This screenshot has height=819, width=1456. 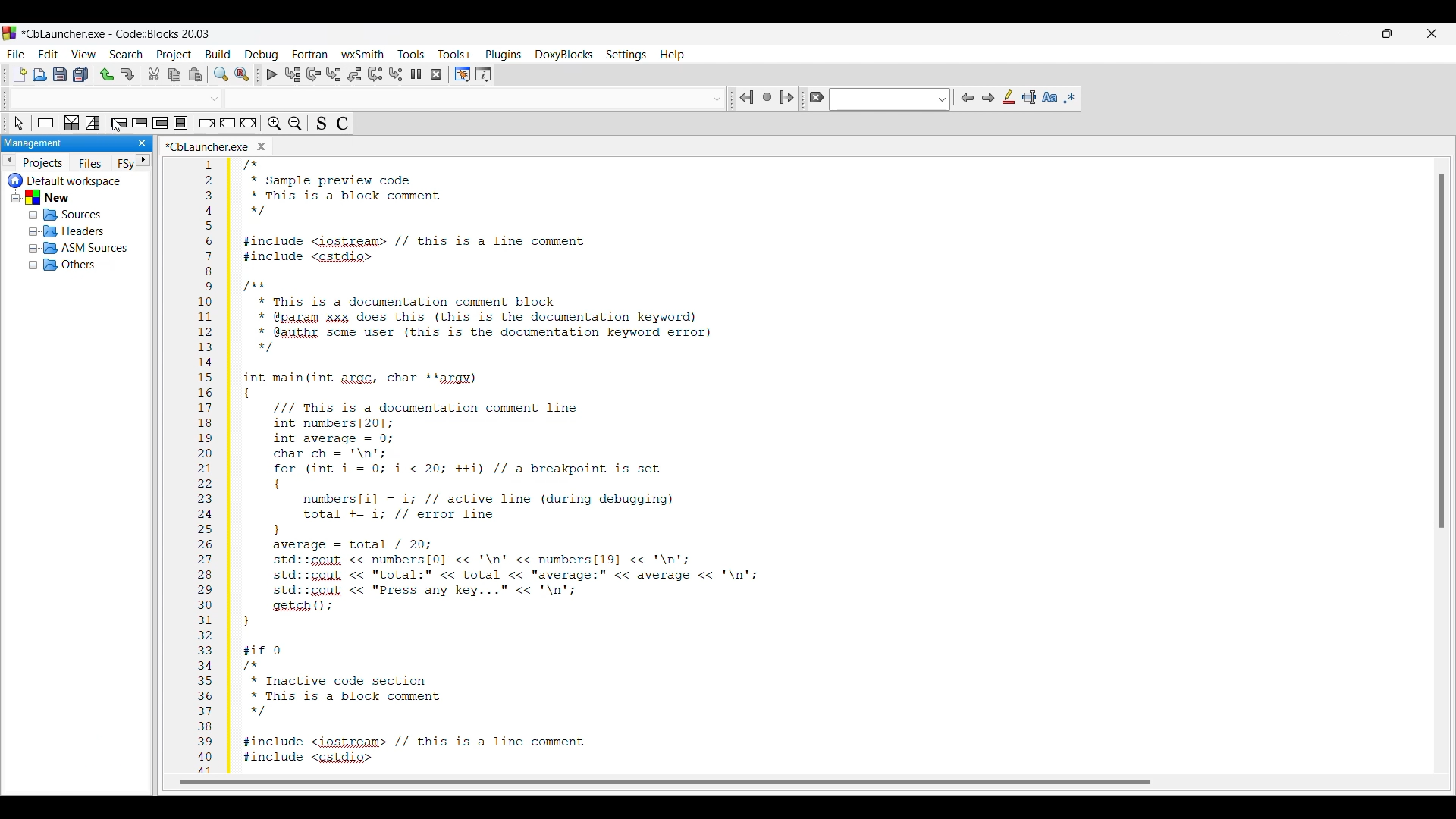 What do you see at coordinates (334, 74) in the screenshot?
I see `Step into` at bounding box center [334, 74].